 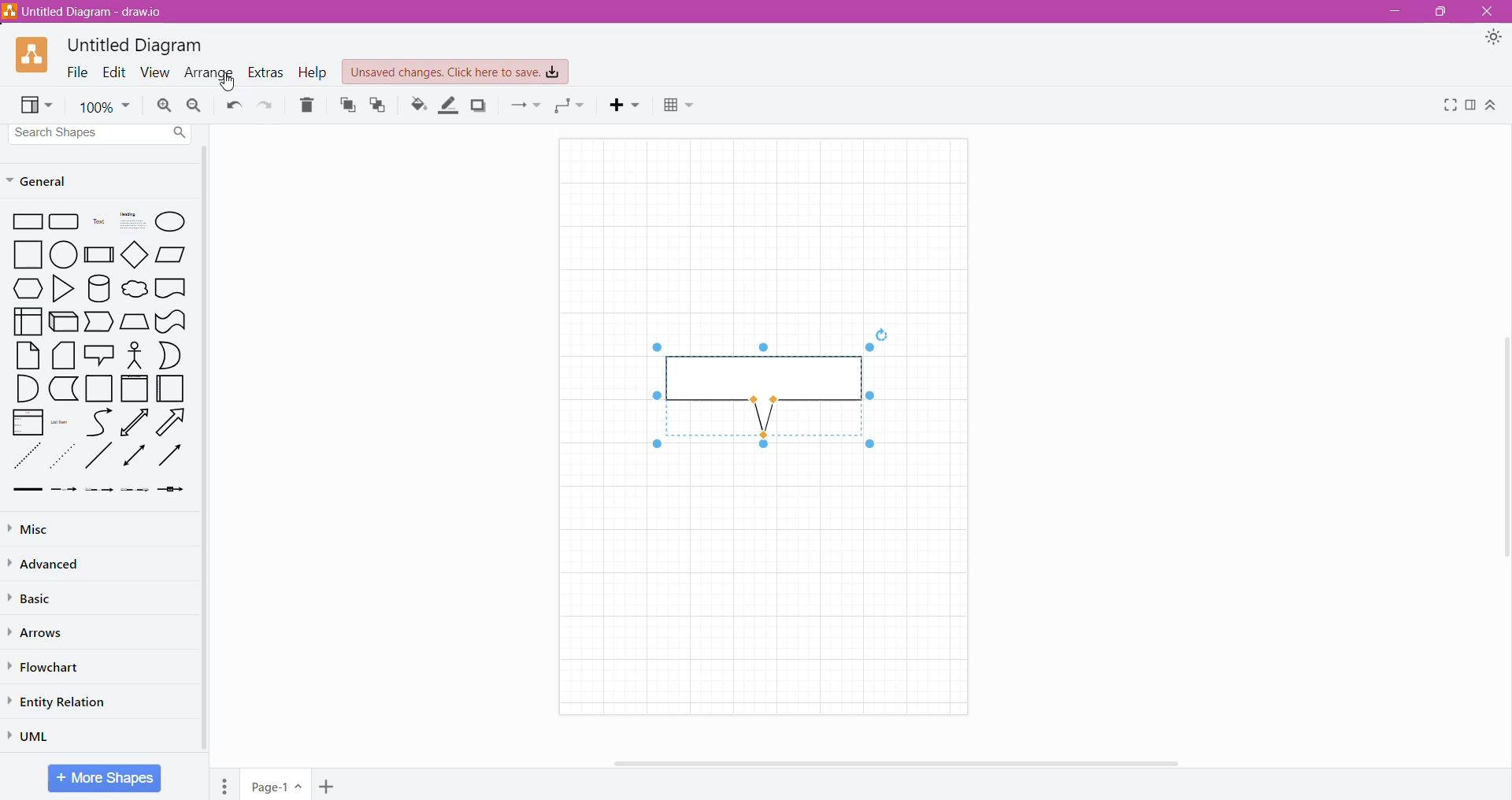 What do you see at coordinates (222, 82) in the screenshot?
I see `Cursor on arrange` at bounding box center [222, 82].